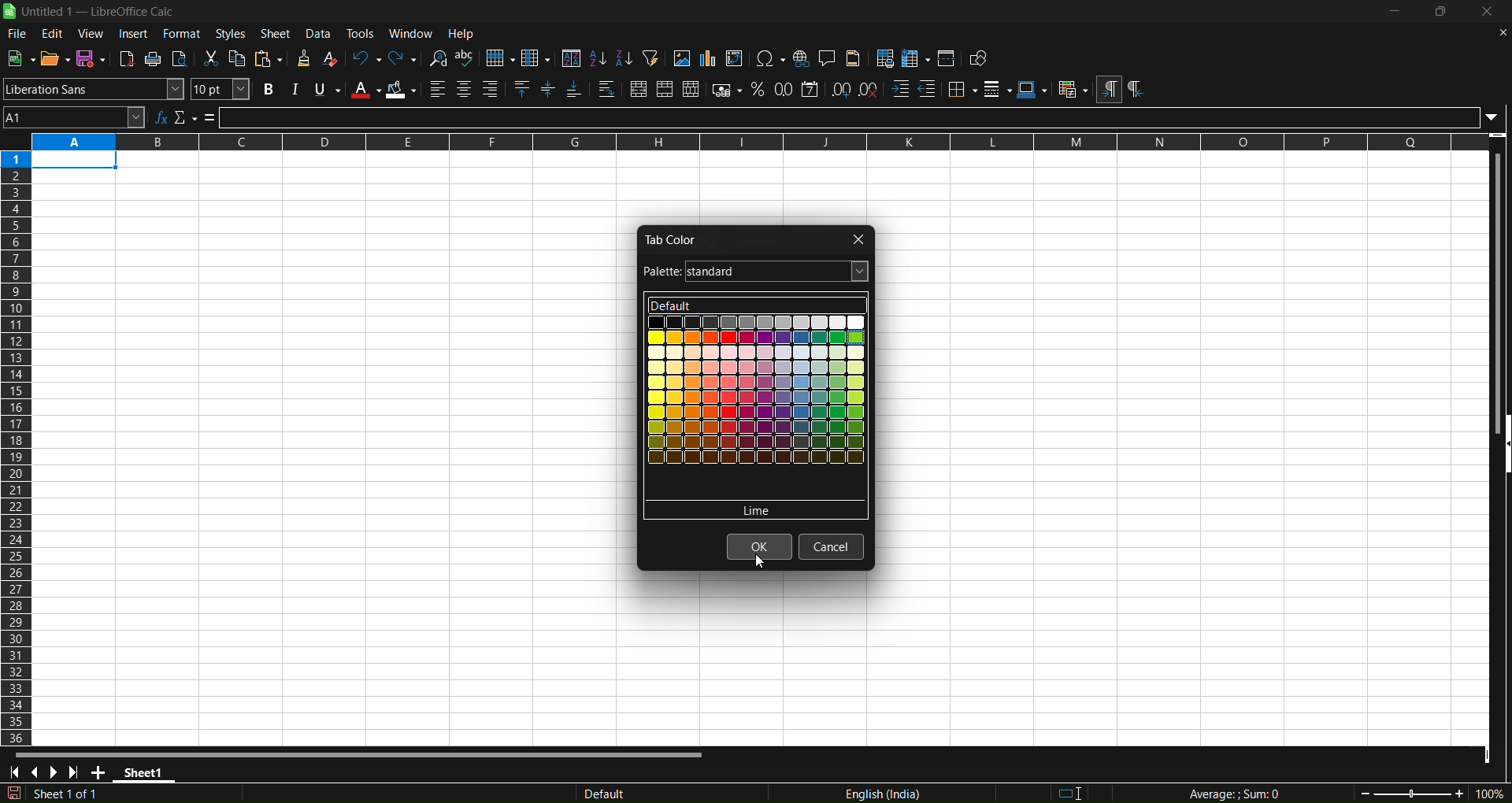 The height and width of the screenshot is (803, 1512). What do you see at coordinates (294, 89) in the screenshot?
I see `italic` at bounding box center [294, 89].